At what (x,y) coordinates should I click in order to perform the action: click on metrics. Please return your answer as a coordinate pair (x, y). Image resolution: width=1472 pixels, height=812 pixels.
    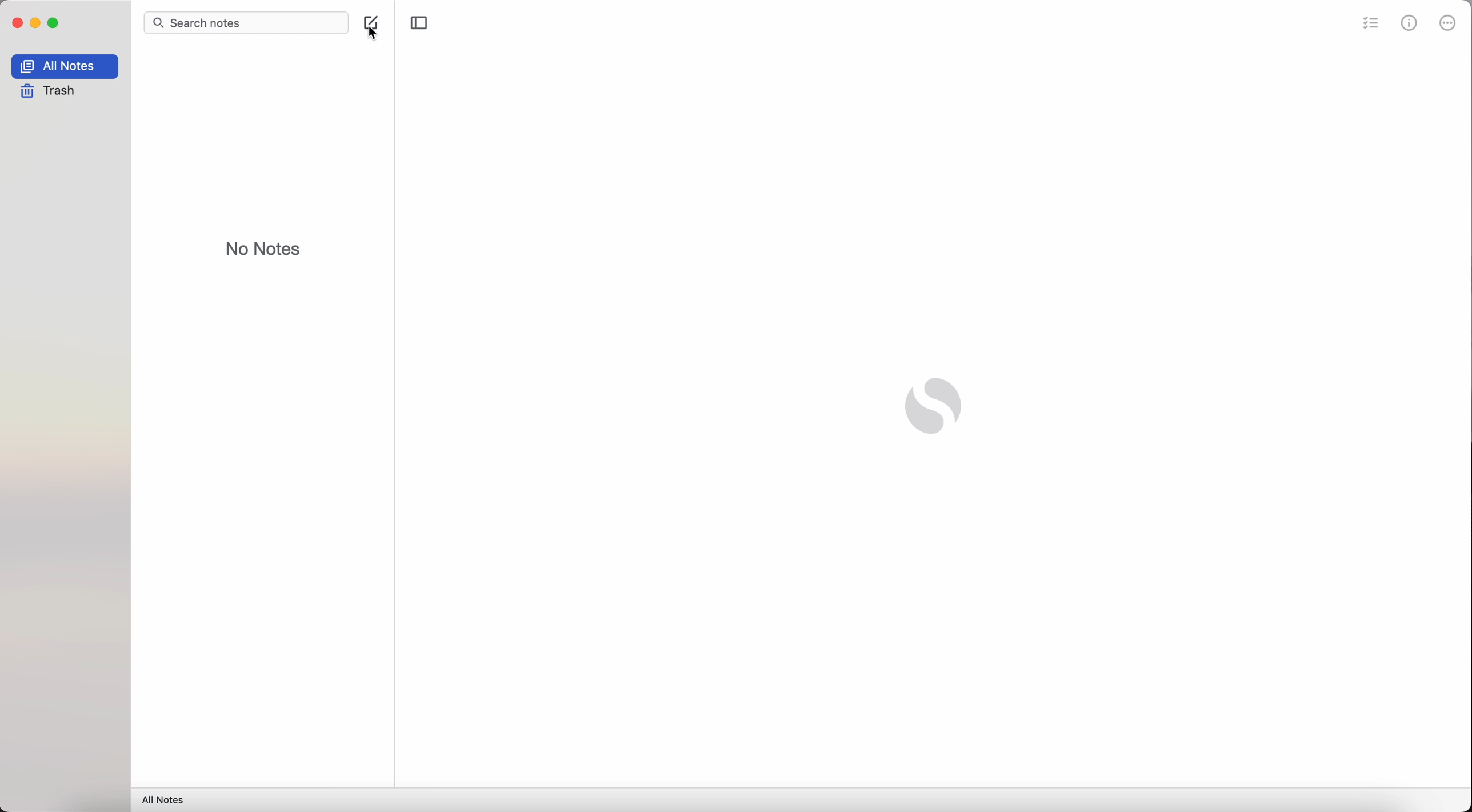
    Looking at the image, I should click on (1410, 23).